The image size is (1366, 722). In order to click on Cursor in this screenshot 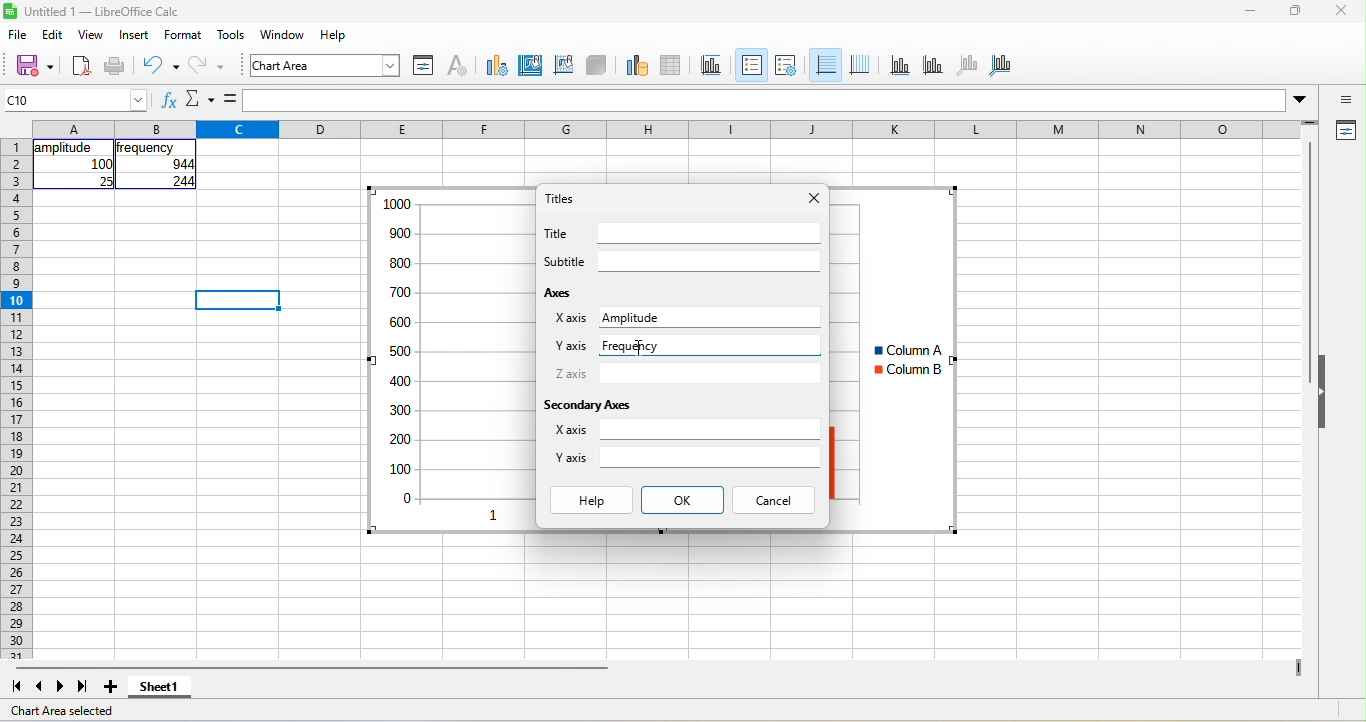, I will do `click(640, 348)`.